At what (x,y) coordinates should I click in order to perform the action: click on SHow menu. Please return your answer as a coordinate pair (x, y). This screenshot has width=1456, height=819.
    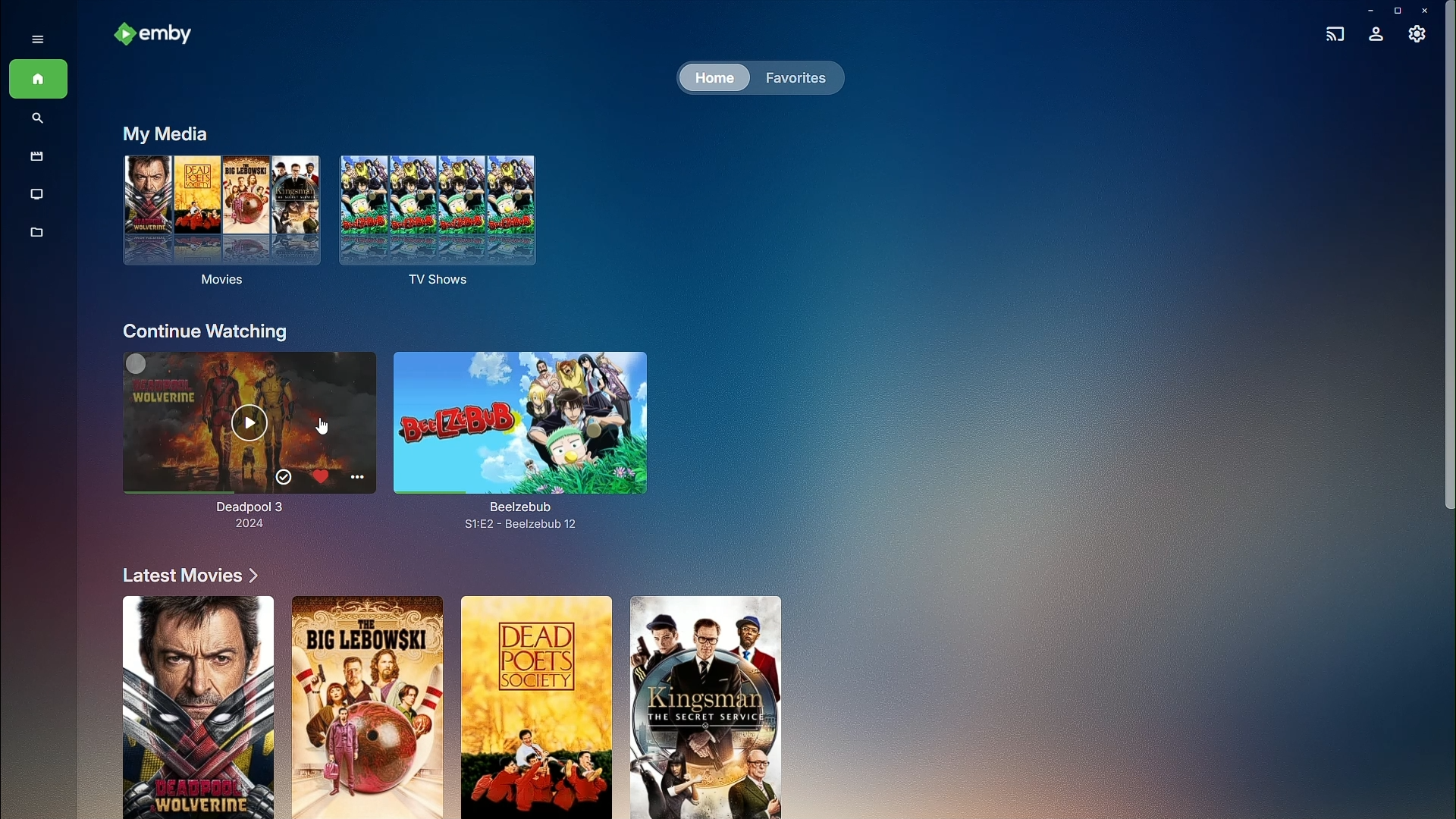
    Looking at the image, I should click on (36, 40).